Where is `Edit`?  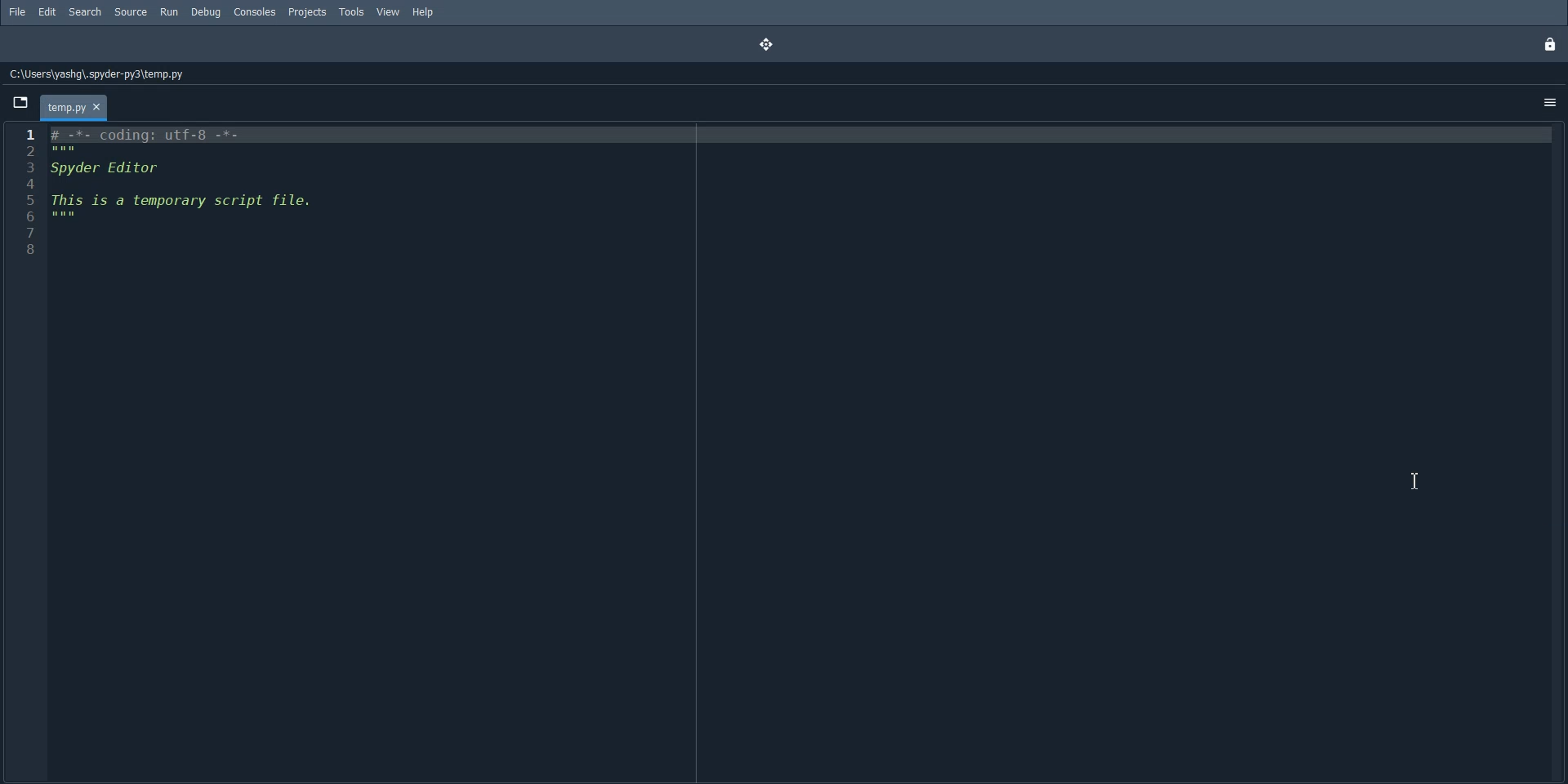
Edit is located at coordinates (47, 11).